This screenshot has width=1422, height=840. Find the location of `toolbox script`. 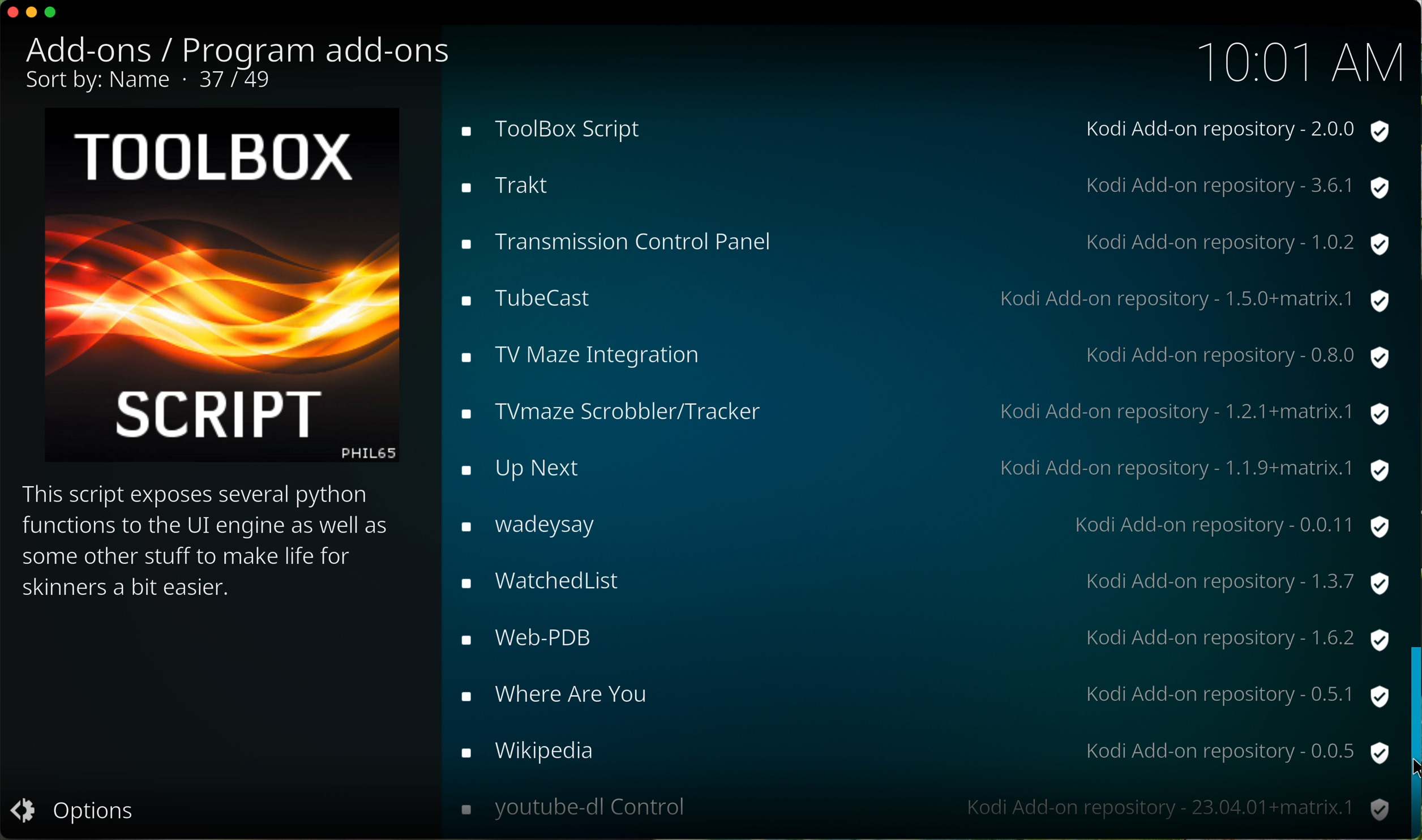

toolbox script is located at coordinates (923, 129).